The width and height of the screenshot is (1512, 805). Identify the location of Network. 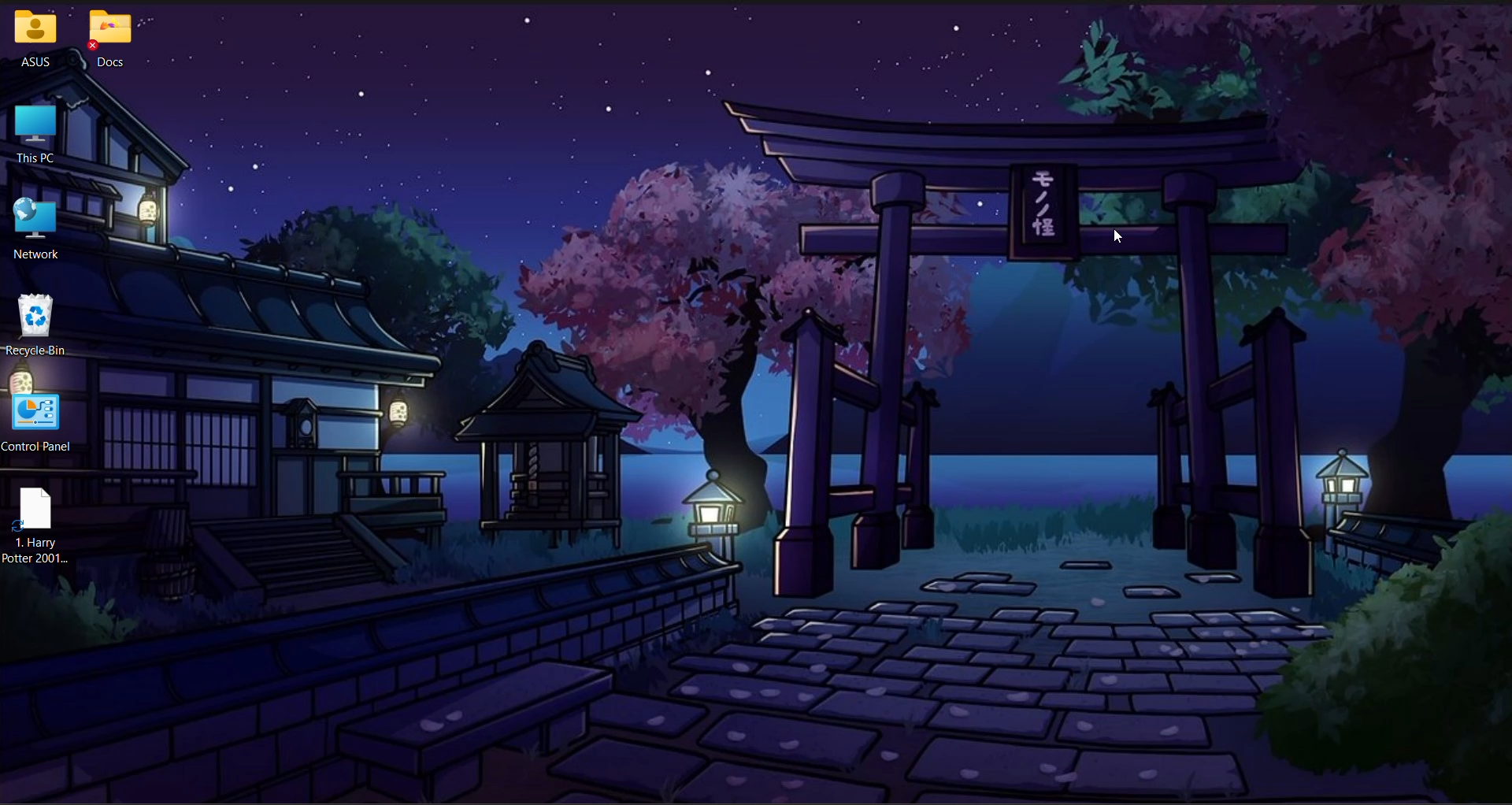
(36, 228).